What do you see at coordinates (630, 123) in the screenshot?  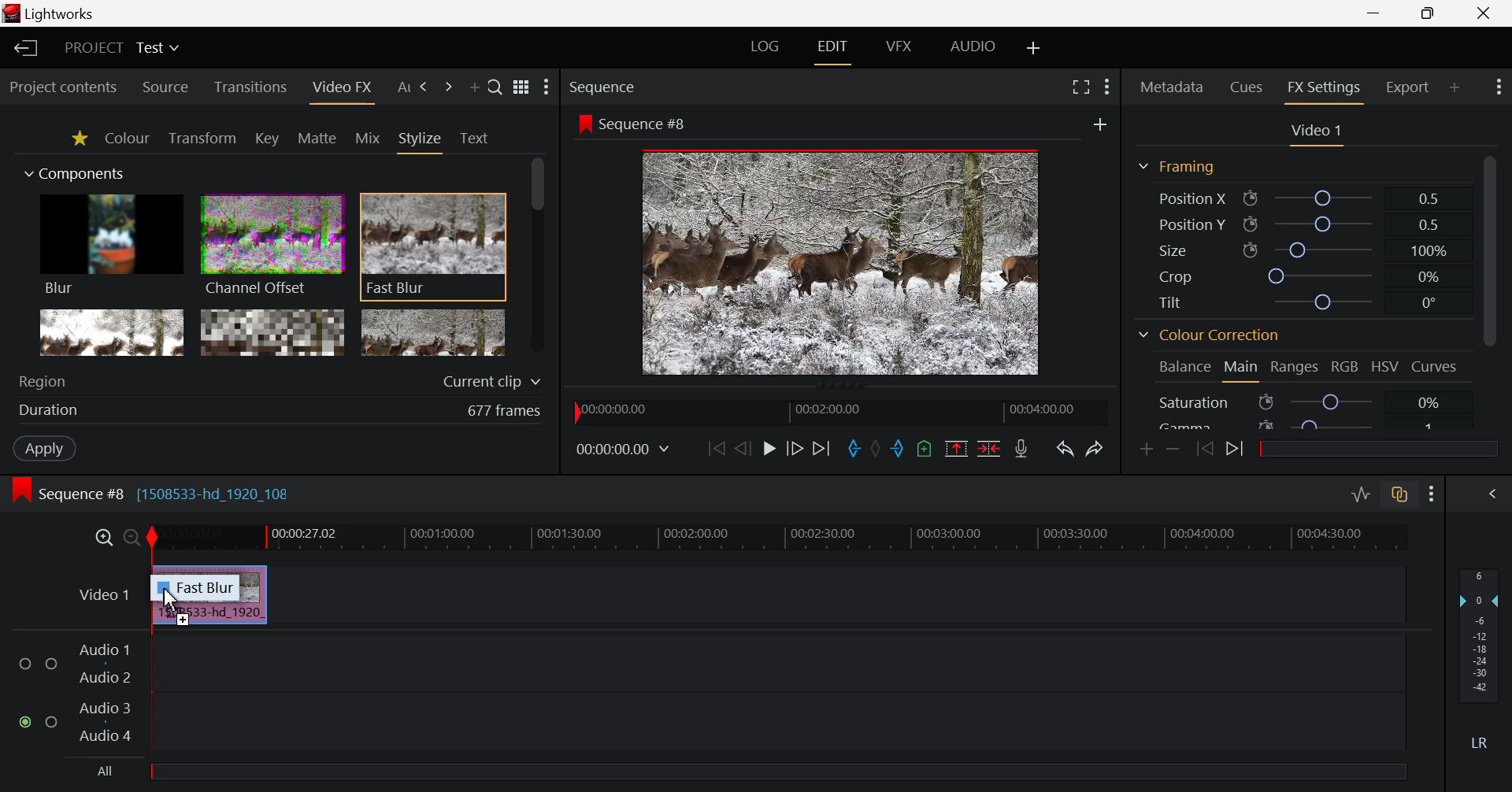 I see `Sequence #8` at bounding box center [630, 123].